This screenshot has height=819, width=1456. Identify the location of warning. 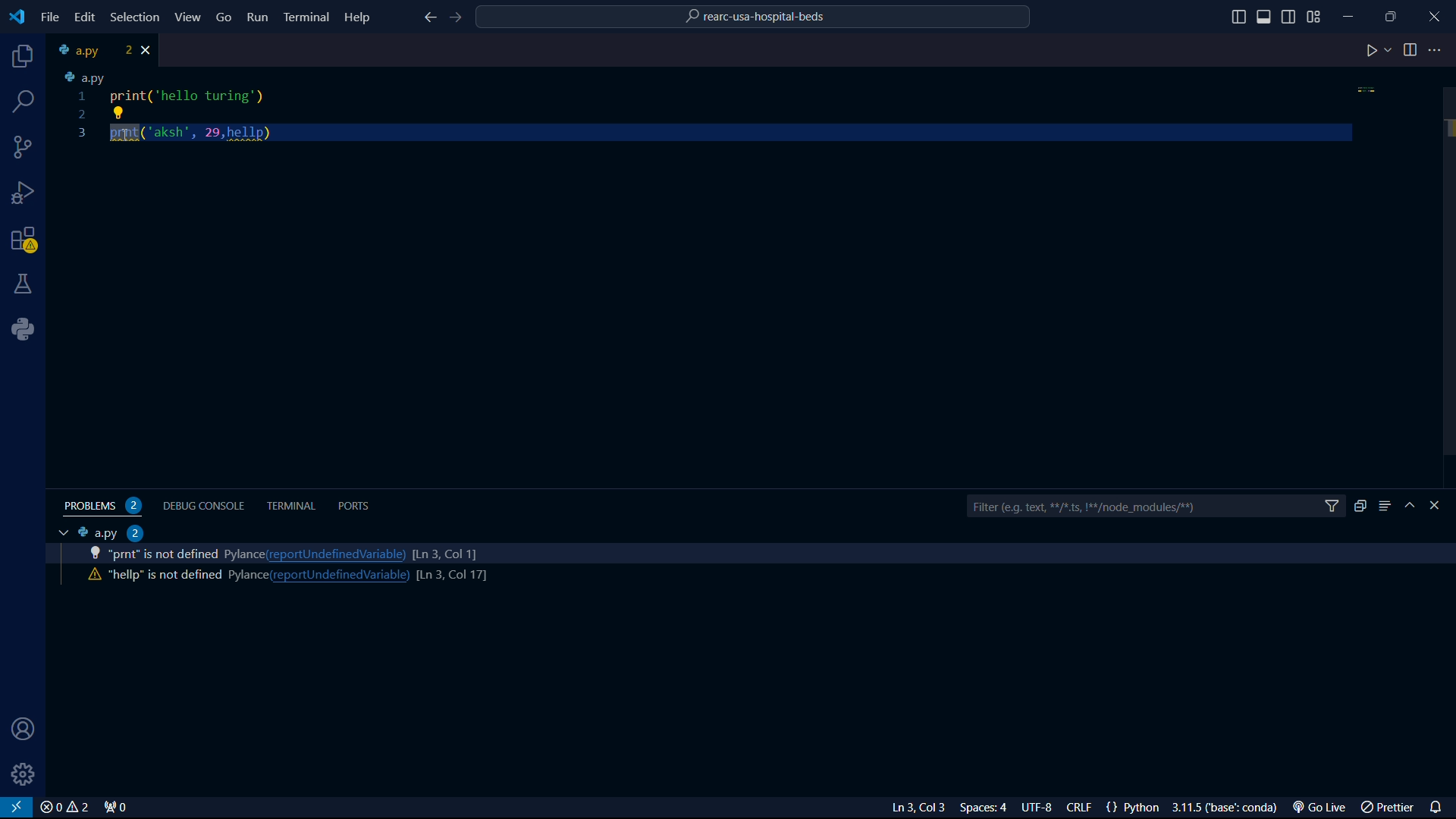
(24, 242).